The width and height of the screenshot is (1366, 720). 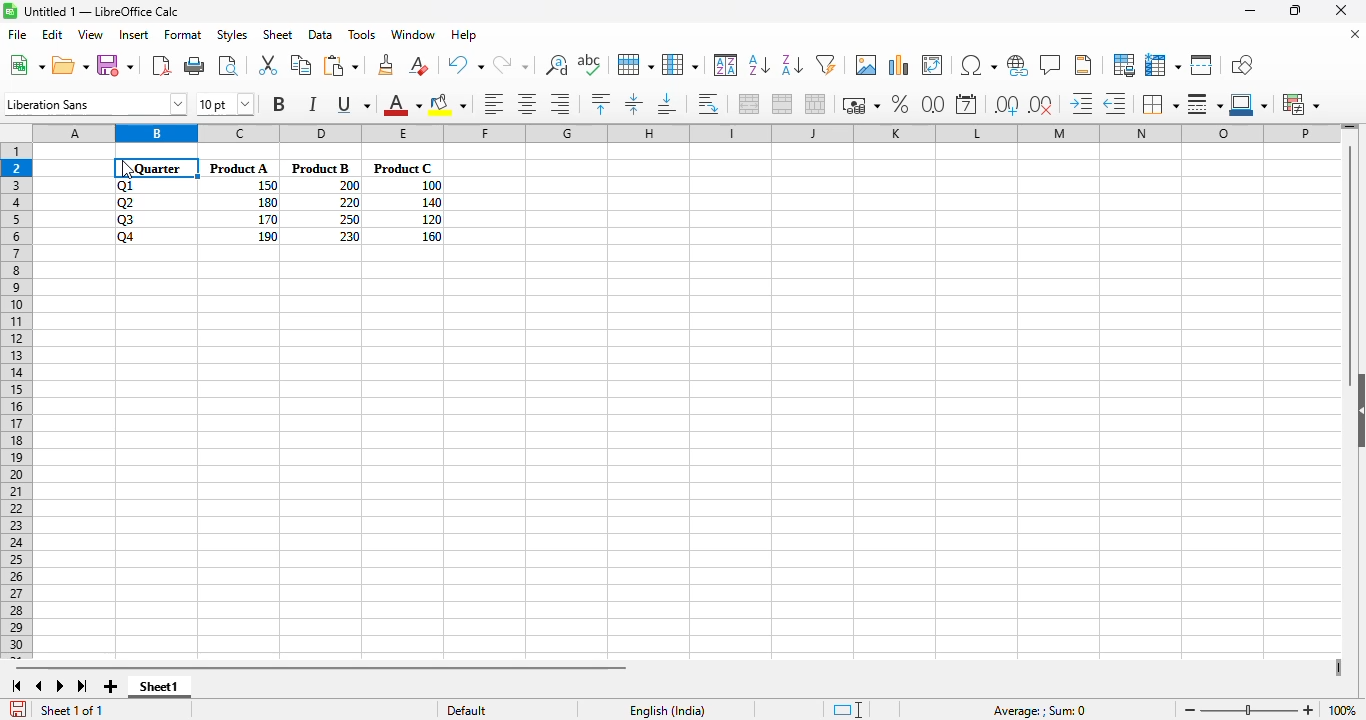 I want to click on 170, so click(x=267, y=220).